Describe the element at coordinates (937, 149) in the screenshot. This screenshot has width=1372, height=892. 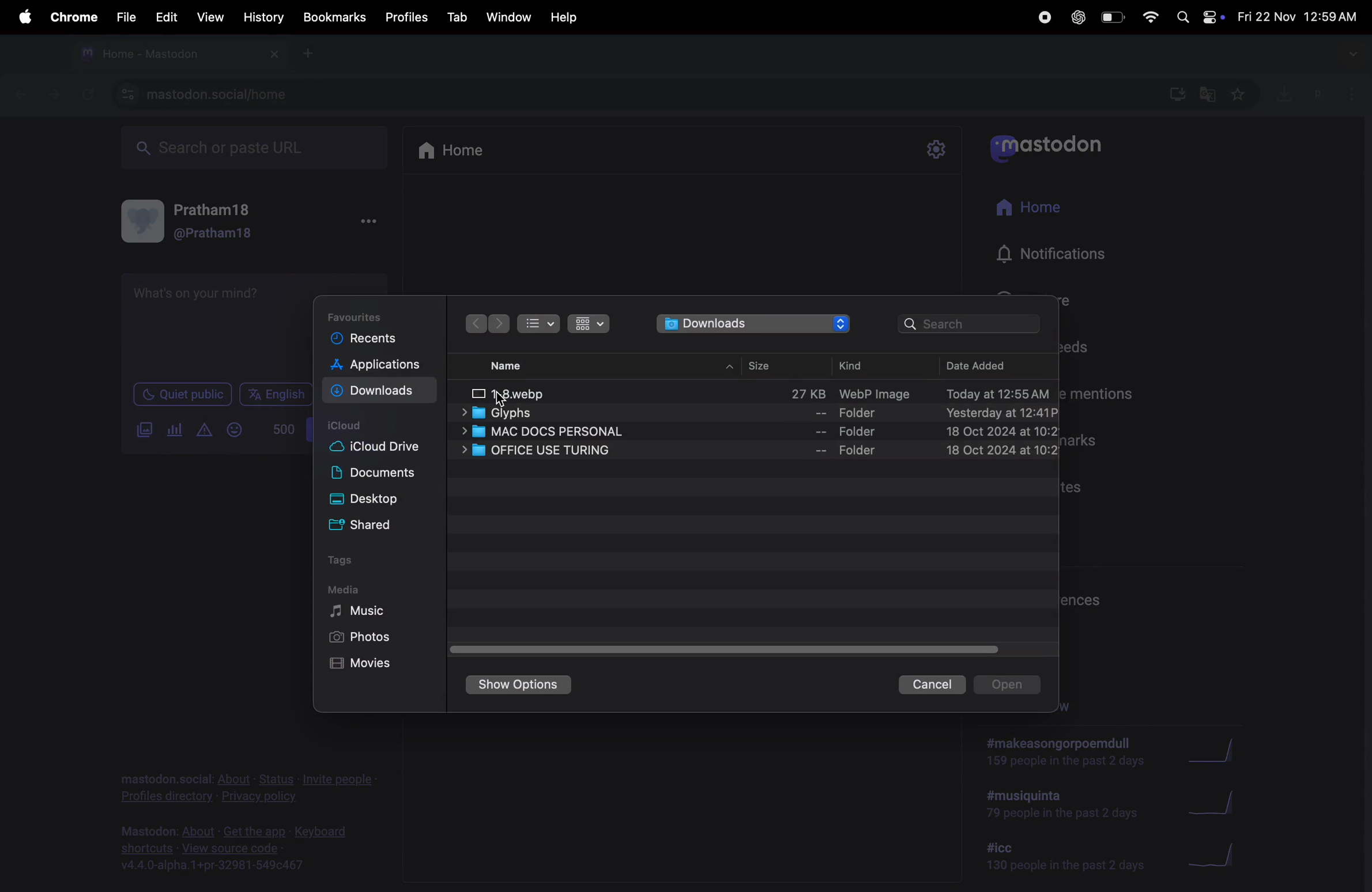
I see `settings` at that location.